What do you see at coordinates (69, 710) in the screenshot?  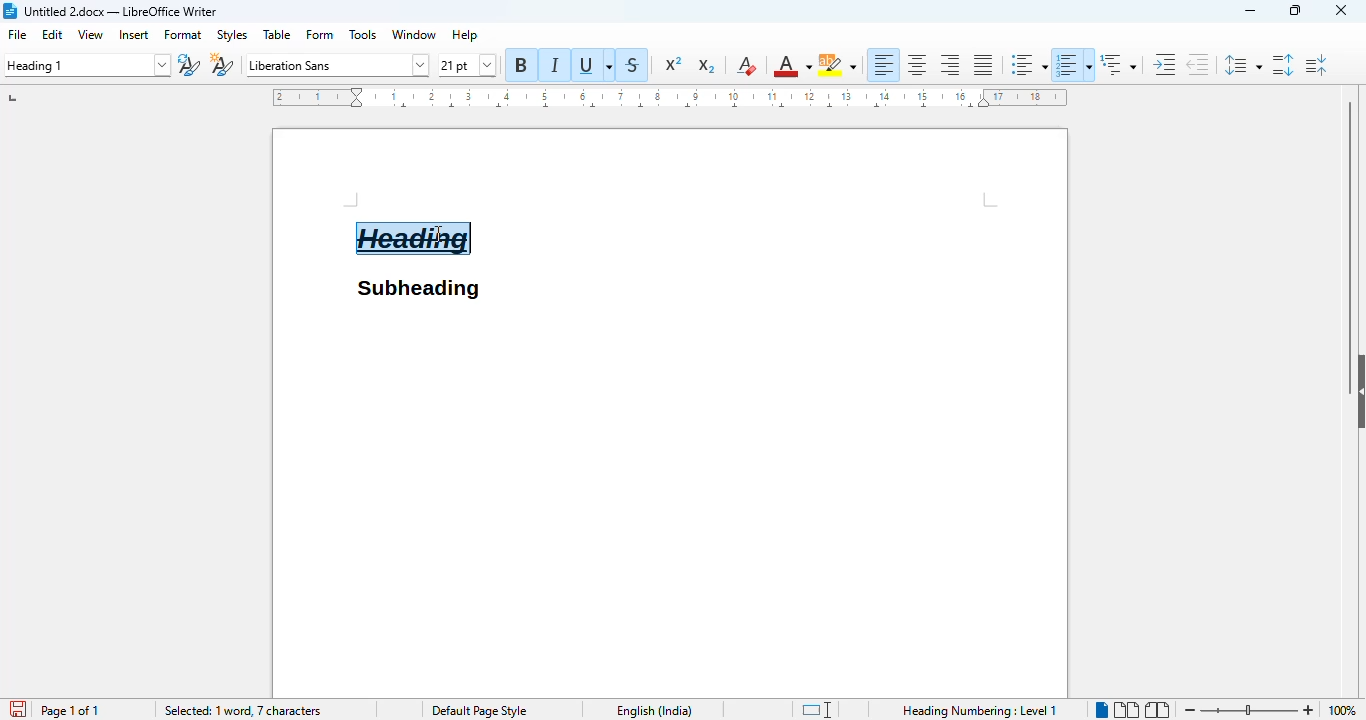 I see `page 1 of 1` at bounding box center [69, 710].